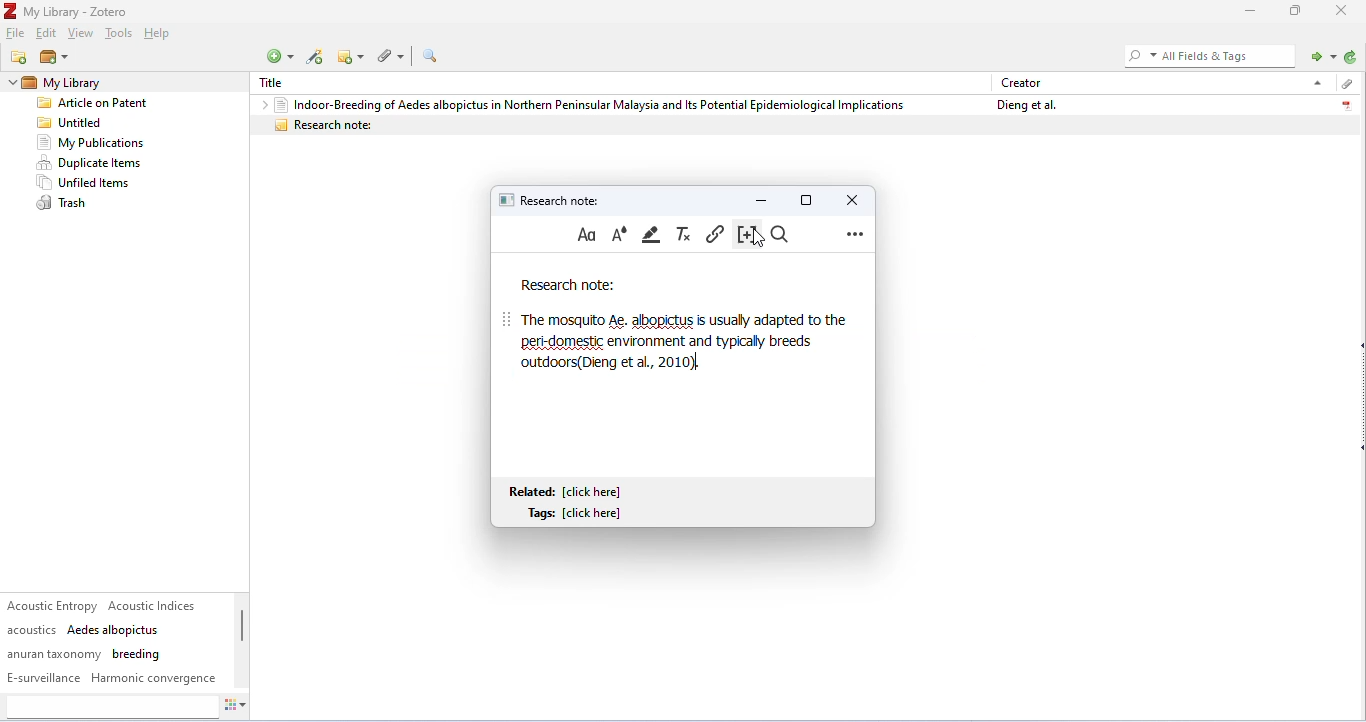 This screenshot has height=722, width=1366. Describe the element at coordinates (99, 104) in the screenshot. I see `Article on Patent` at that location.